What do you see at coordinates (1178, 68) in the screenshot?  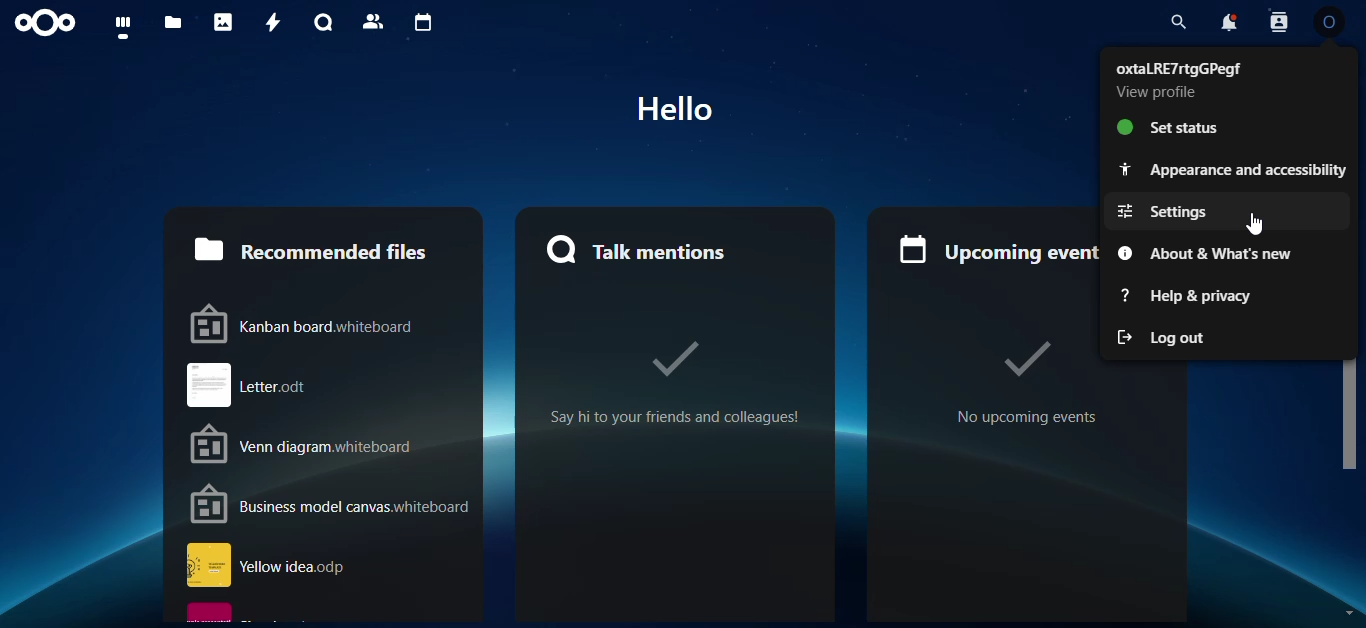 I see `oxtaLRE7rtgGPegf` at bounding box center [1178, 68].